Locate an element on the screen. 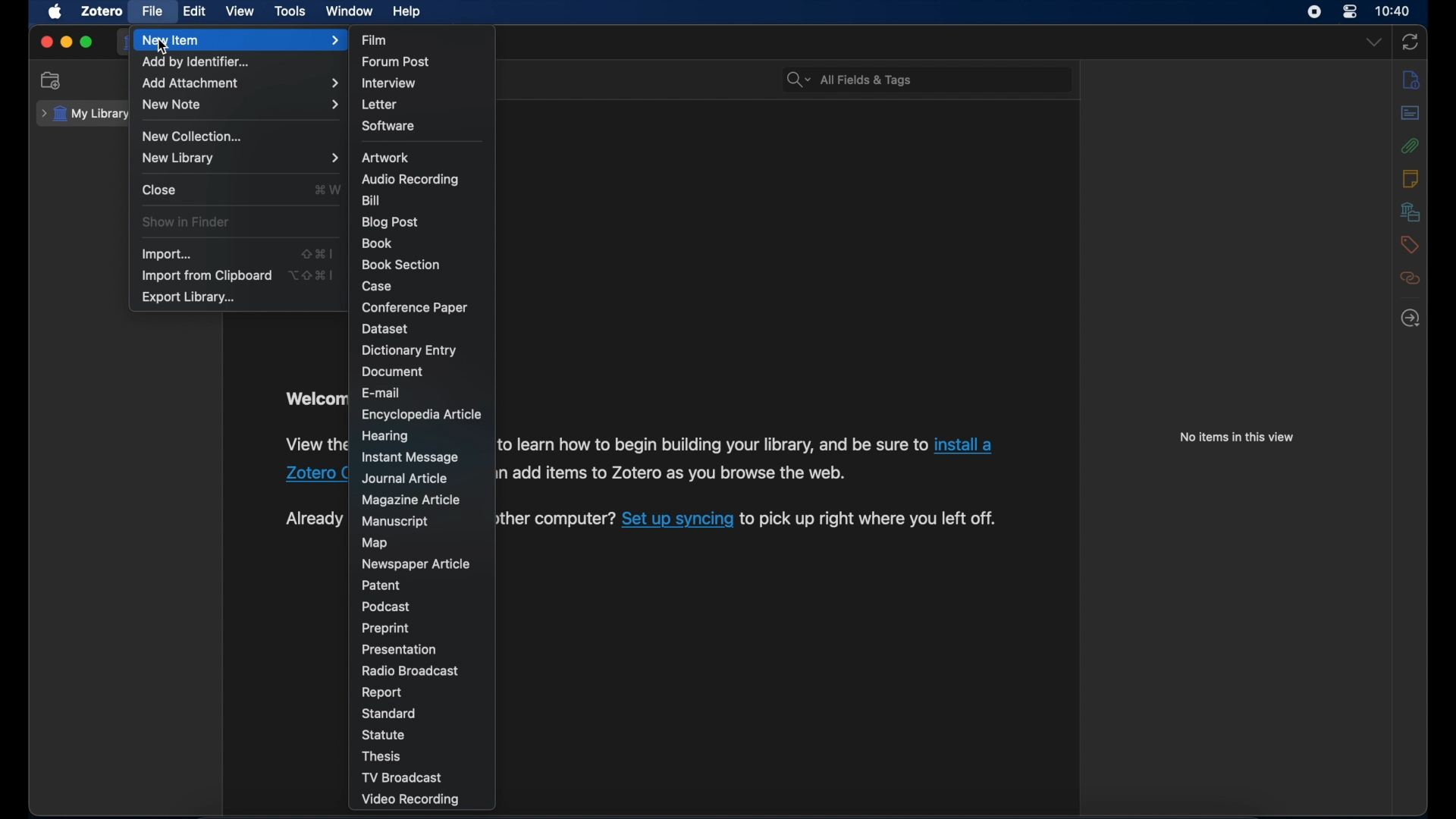  Already is located at coordinates (308, 519).